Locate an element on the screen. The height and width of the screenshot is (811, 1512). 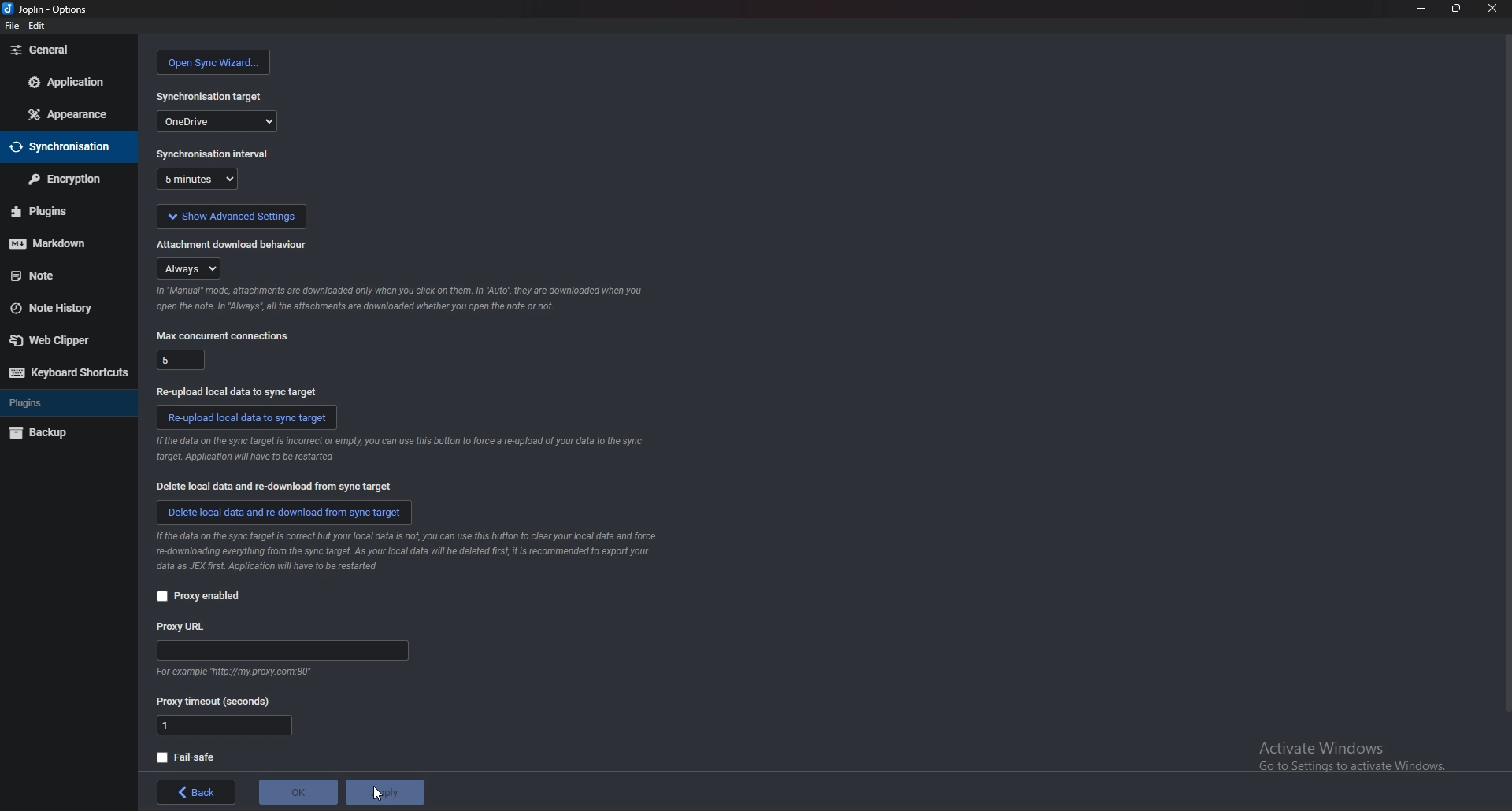
info is located at coordinates (404, 551).